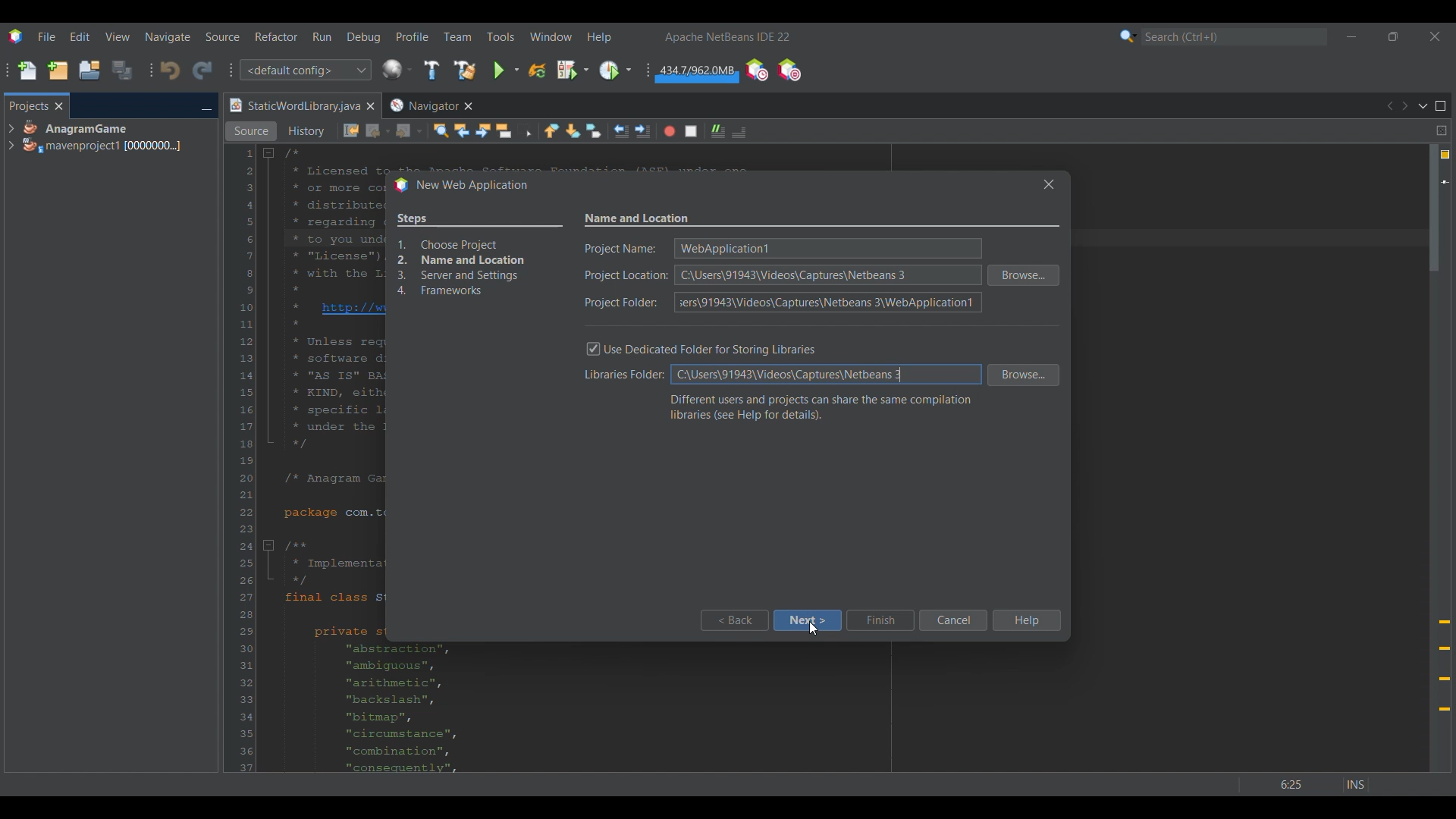 The image size is (1456, 819). I want to click on Toggle for dedicated folder, so click(714, 348).